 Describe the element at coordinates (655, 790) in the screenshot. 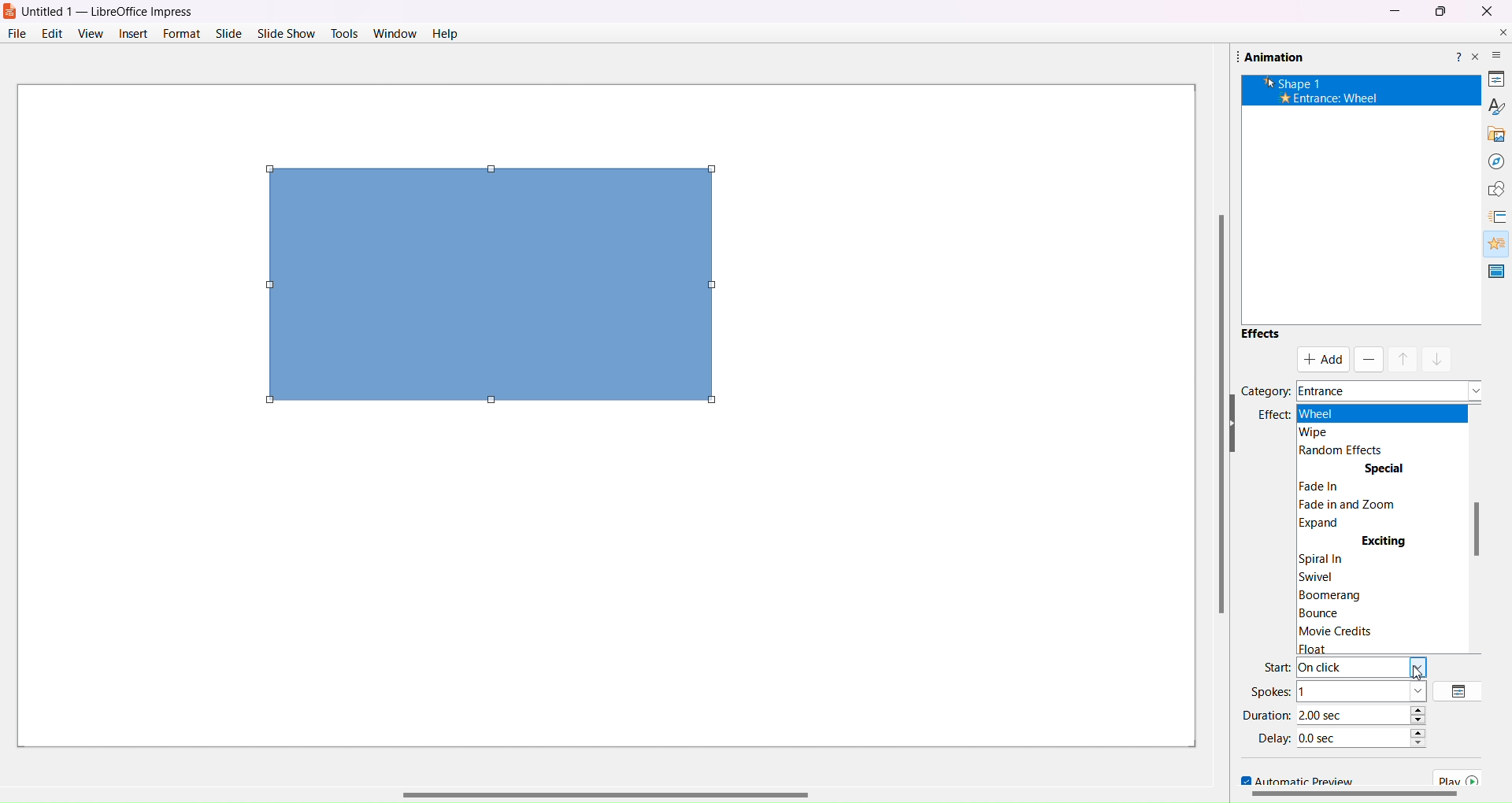

I see `Horizontal Scroll Bar` at that location.